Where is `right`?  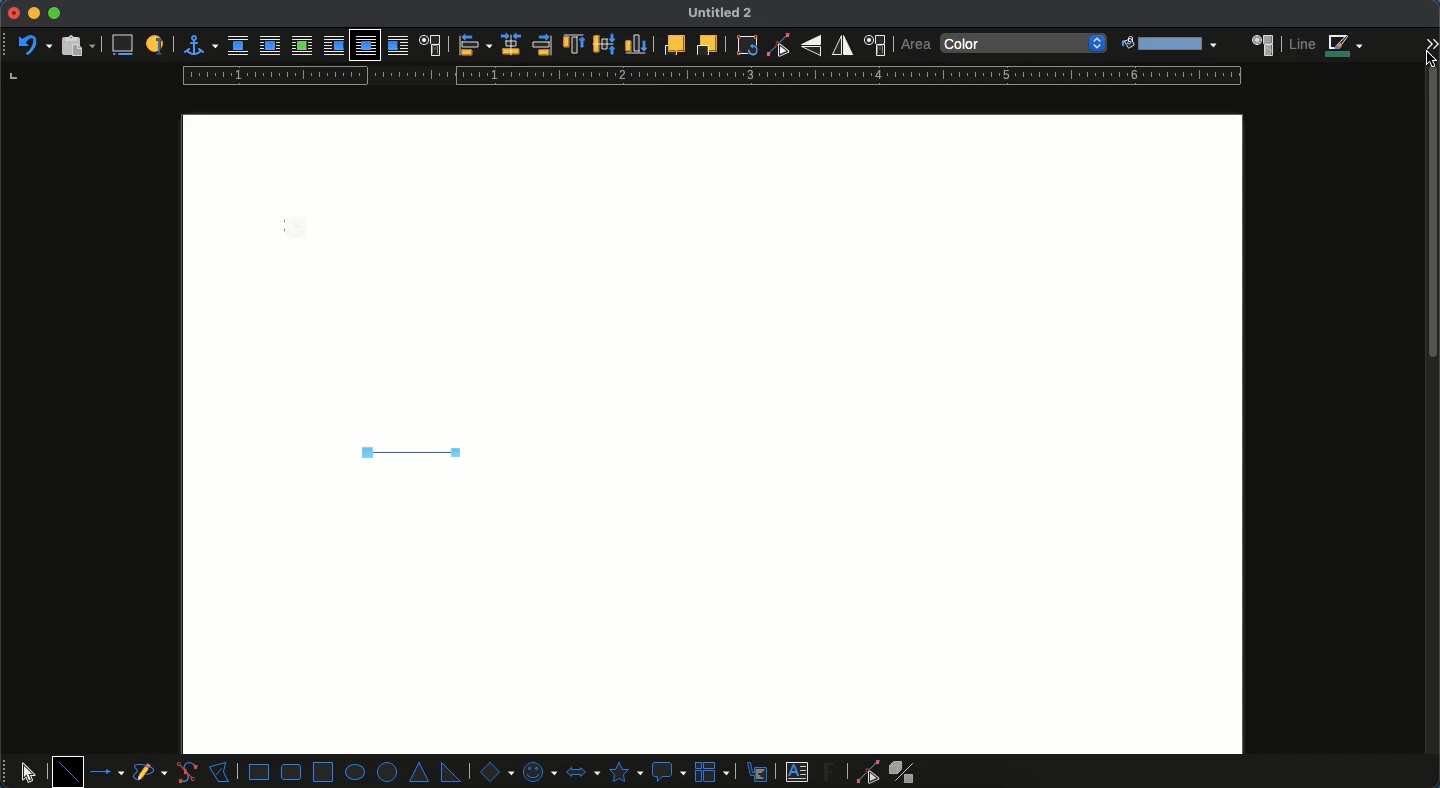
right is located at coordinates (542, 45).